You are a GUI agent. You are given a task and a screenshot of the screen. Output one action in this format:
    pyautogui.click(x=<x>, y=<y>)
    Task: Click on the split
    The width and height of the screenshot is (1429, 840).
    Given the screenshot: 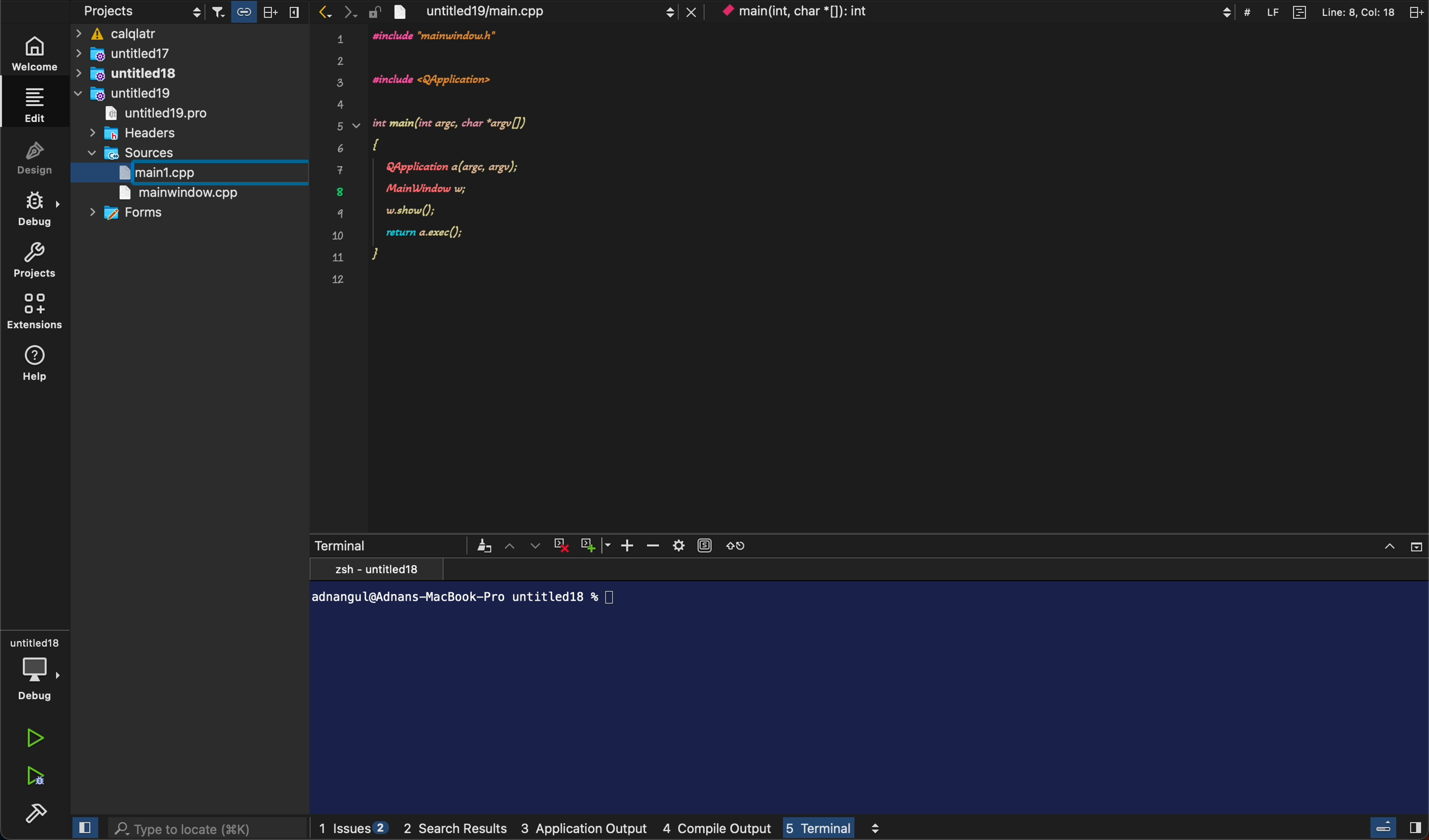 What is the action you would take?
    pyautogui.click(x=1414, y=11)
    